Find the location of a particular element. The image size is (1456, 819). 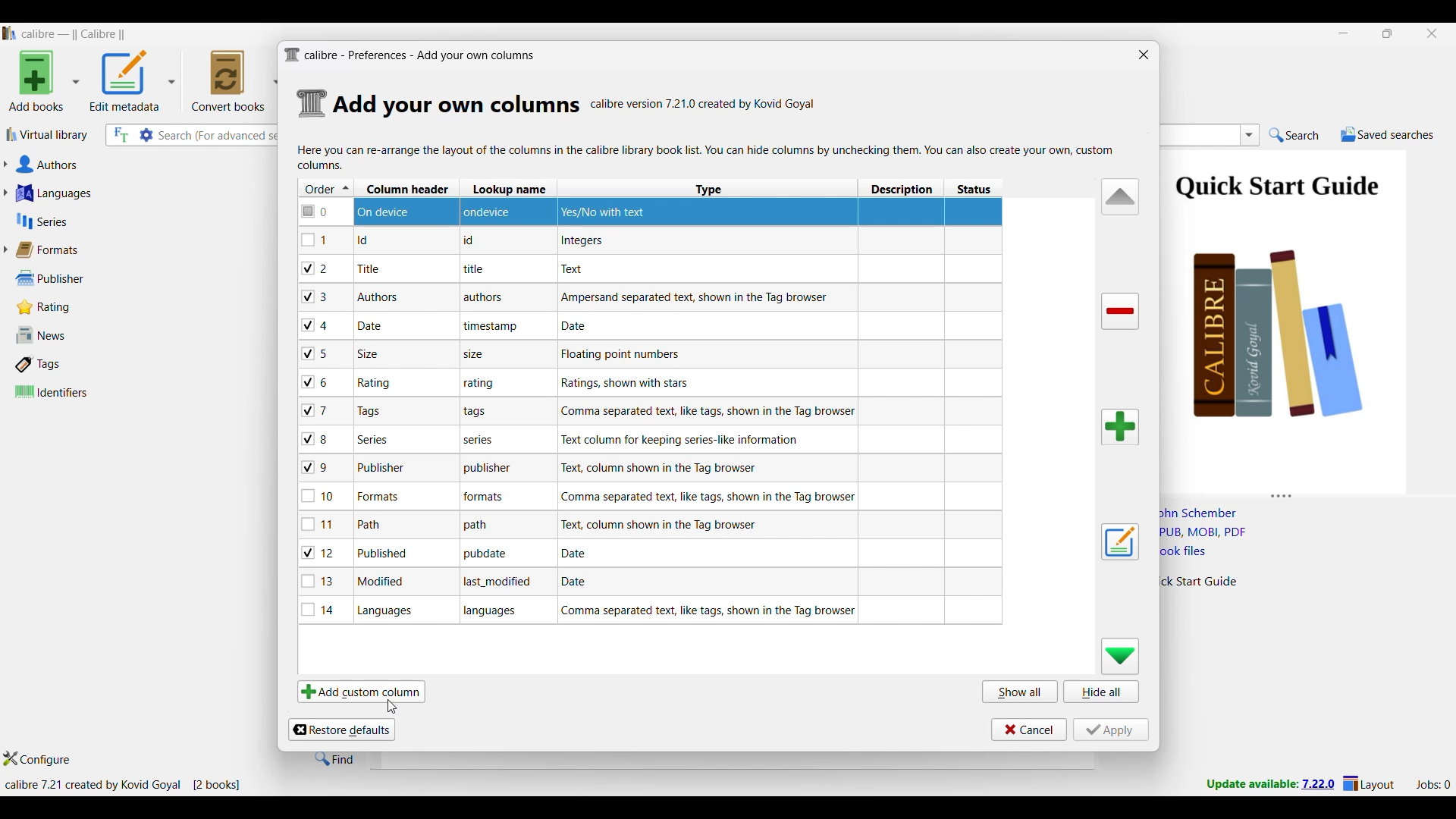

Note is located at coordinates (380, 295).